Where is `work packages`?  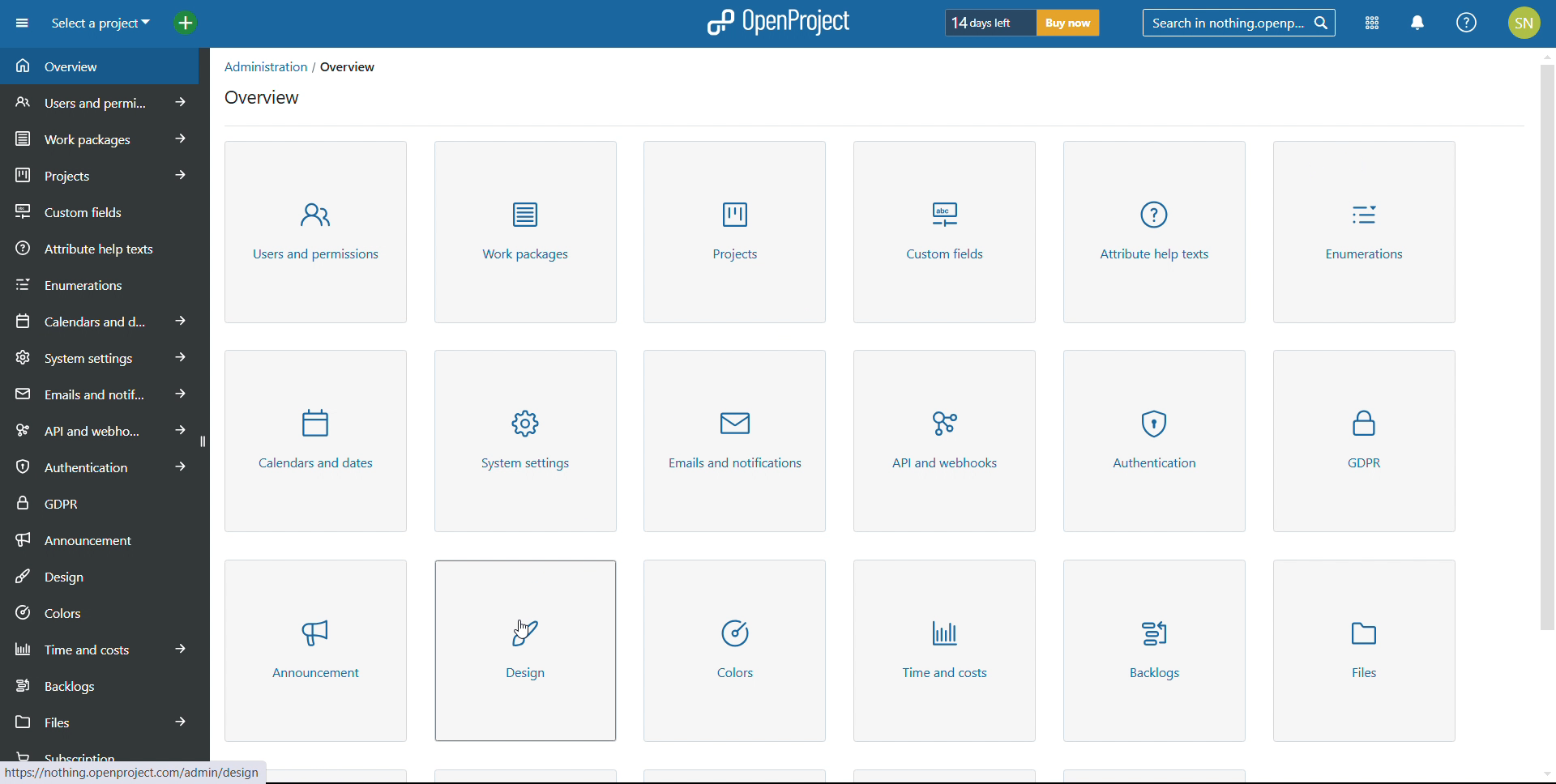 work packages is located at coordinates (737, 232).